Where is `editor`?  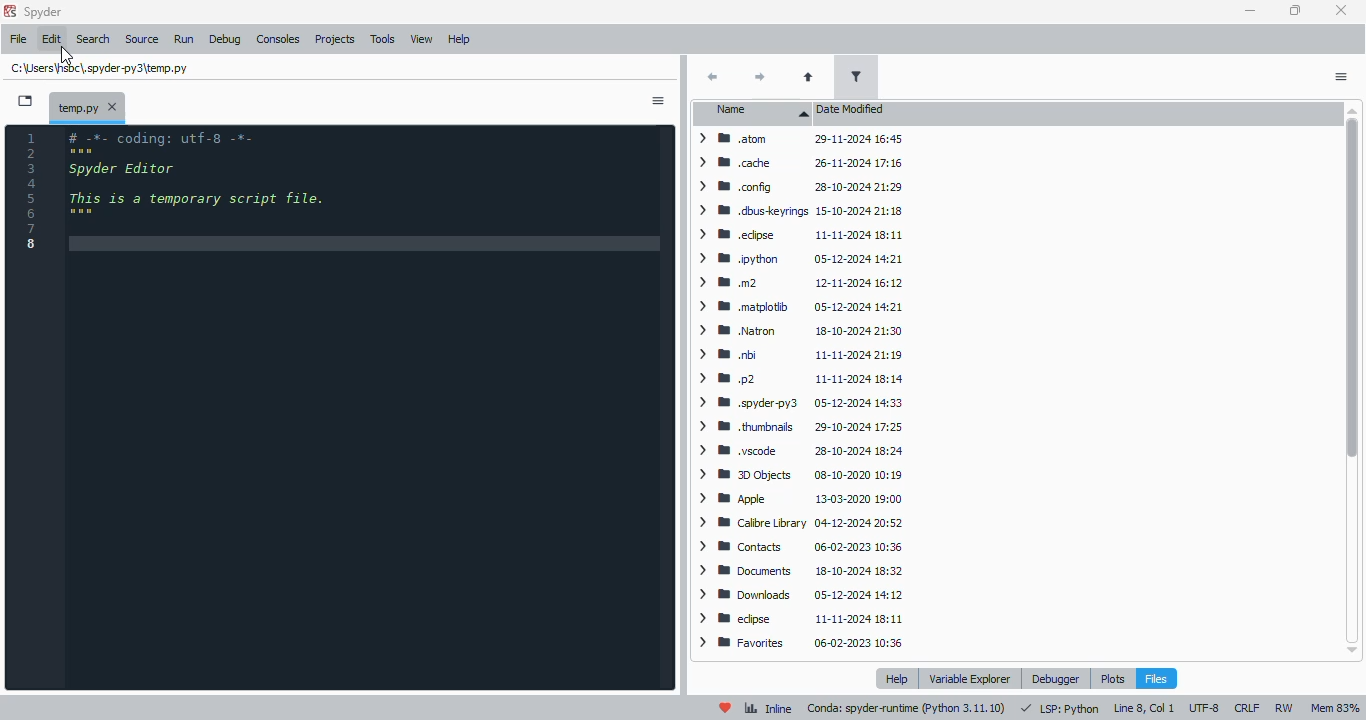
editor is located at coordinates (364, 408).